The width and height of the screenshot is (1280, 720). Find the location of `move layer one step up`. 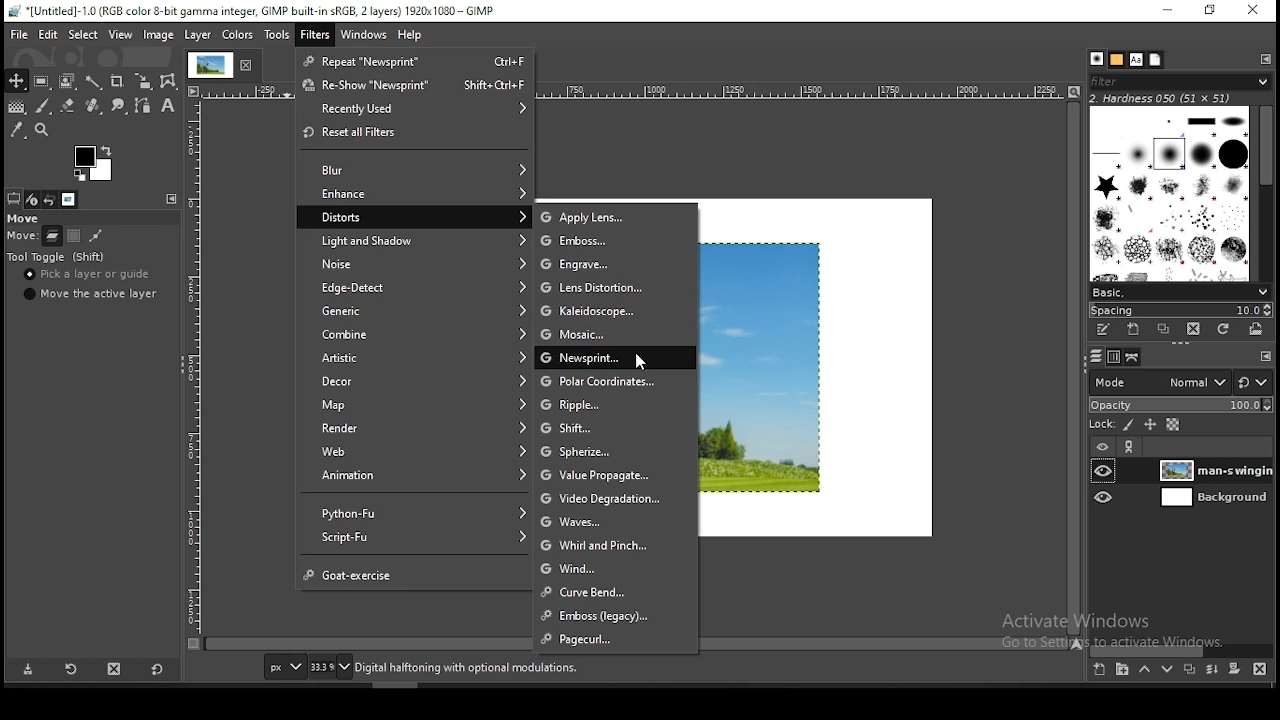

move layer one step up is located at coordinates (1144, 669).